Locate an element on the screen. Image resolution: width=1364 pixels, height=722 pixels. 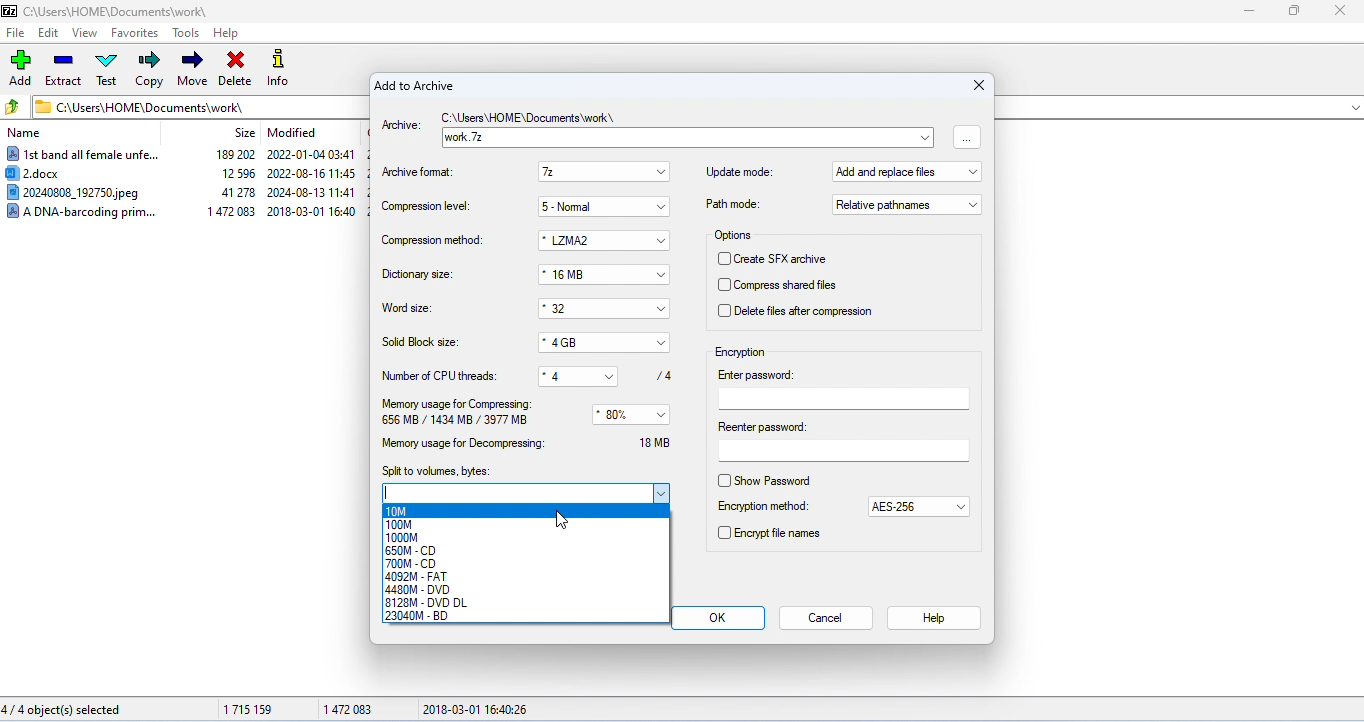
favorites is located at coordinates (136, 32).